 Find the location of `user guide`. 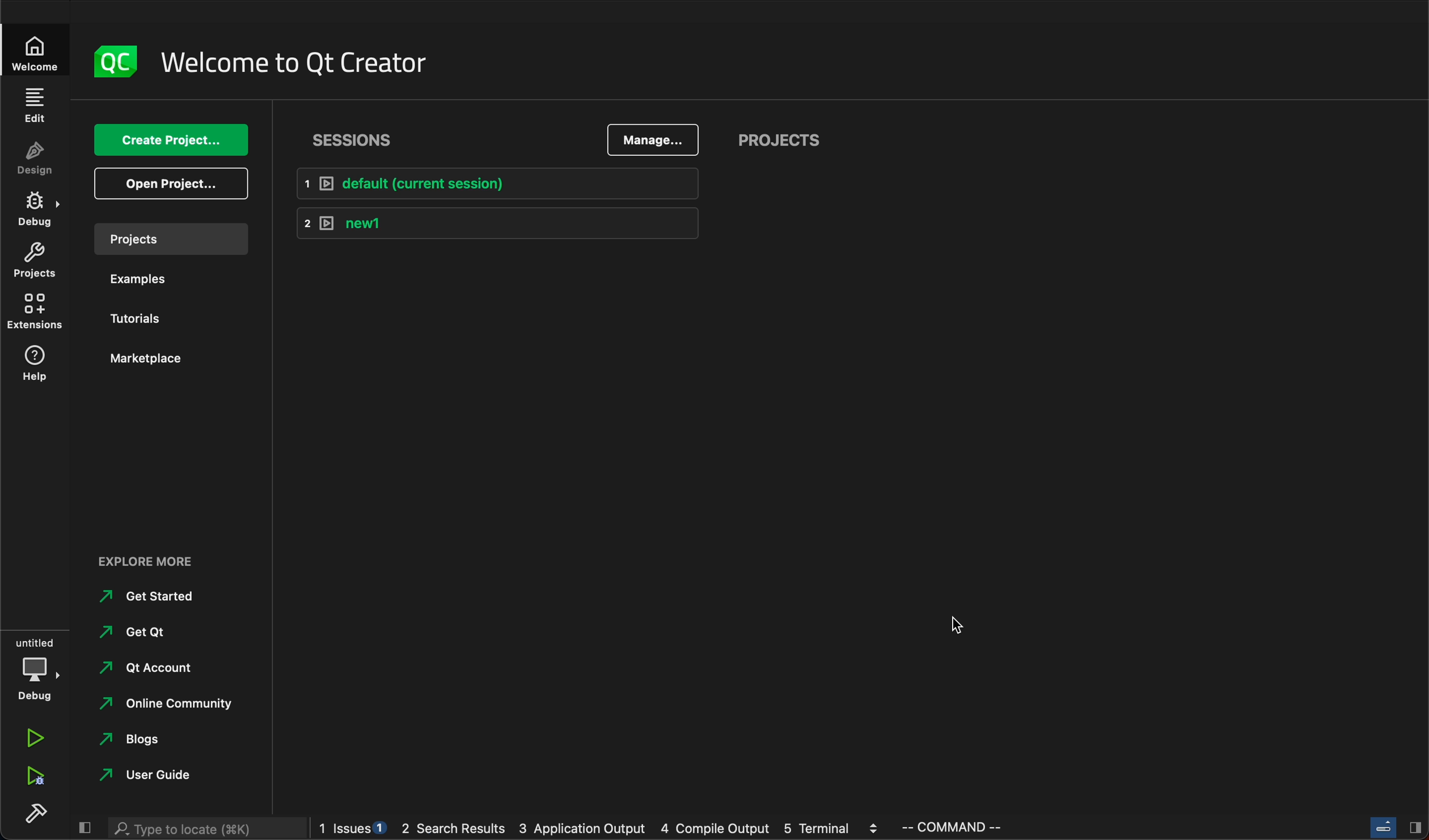

user guide is located at coordinates (152, 775).